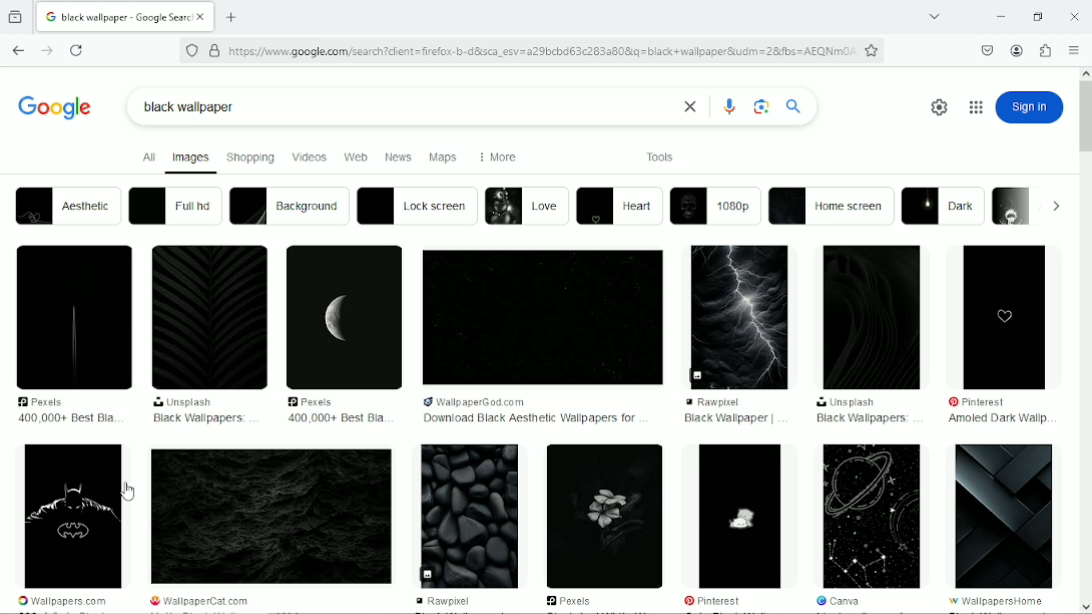 This screenshot has height=614, width=1092. Describe the element at coordinates (316, 401) in the screenshot. I see `pexels` at that location.